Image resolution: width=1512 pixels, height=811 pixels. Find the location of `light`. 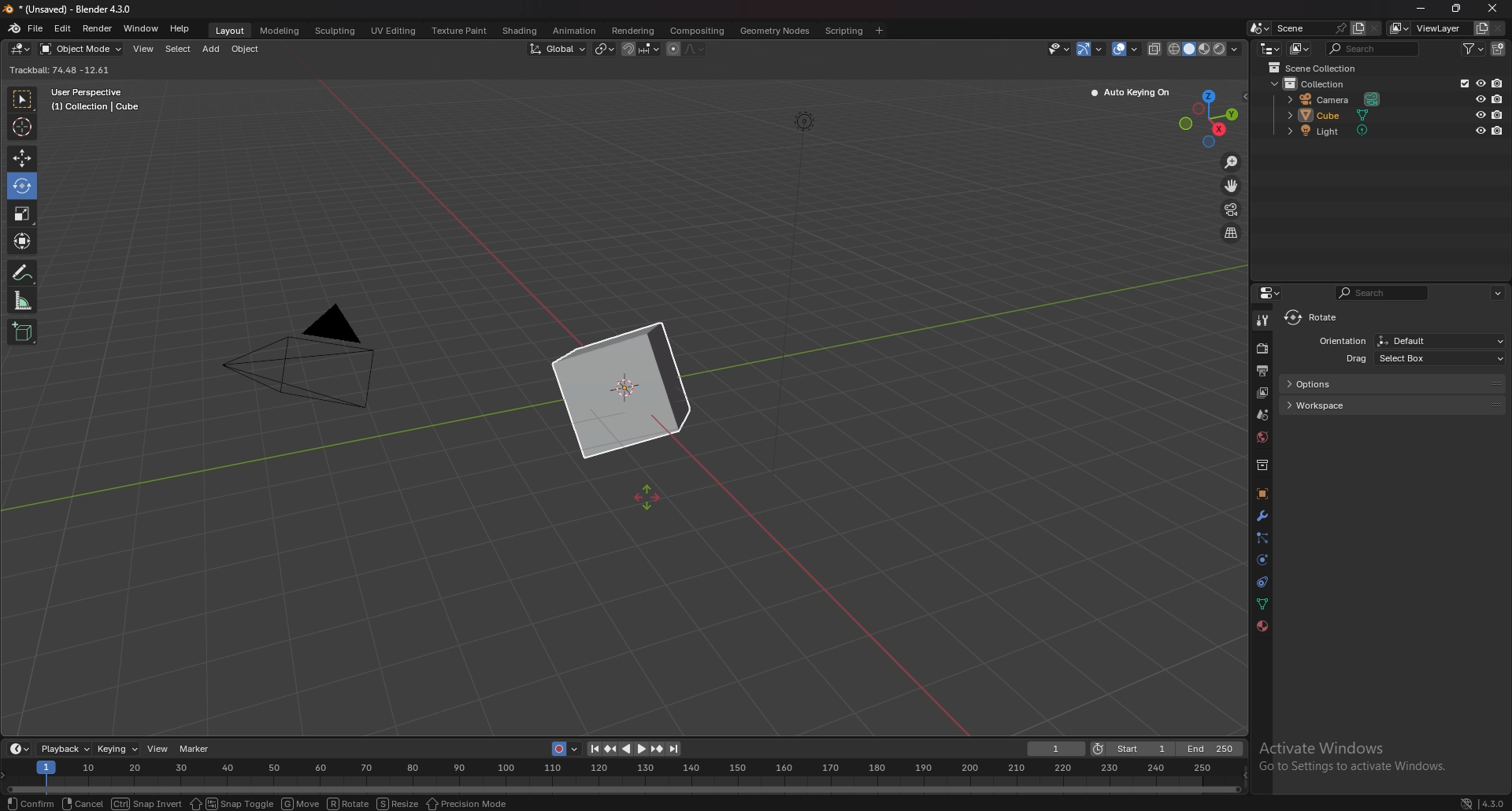

light is located at coordinates (1341, 131).